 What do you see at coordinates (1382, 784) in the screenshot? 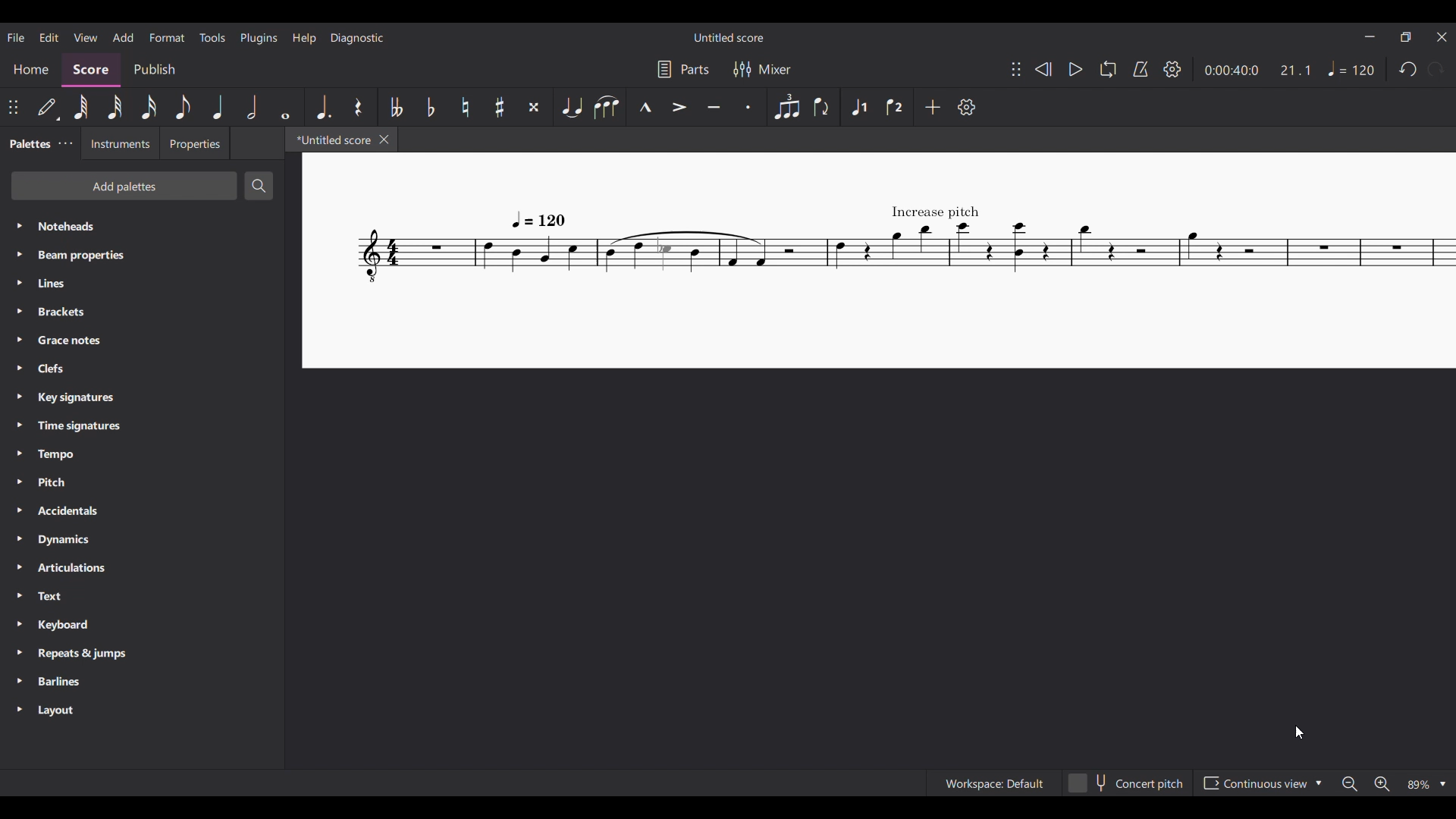
I see `Zoom in` at bounding box center [1382, 784].